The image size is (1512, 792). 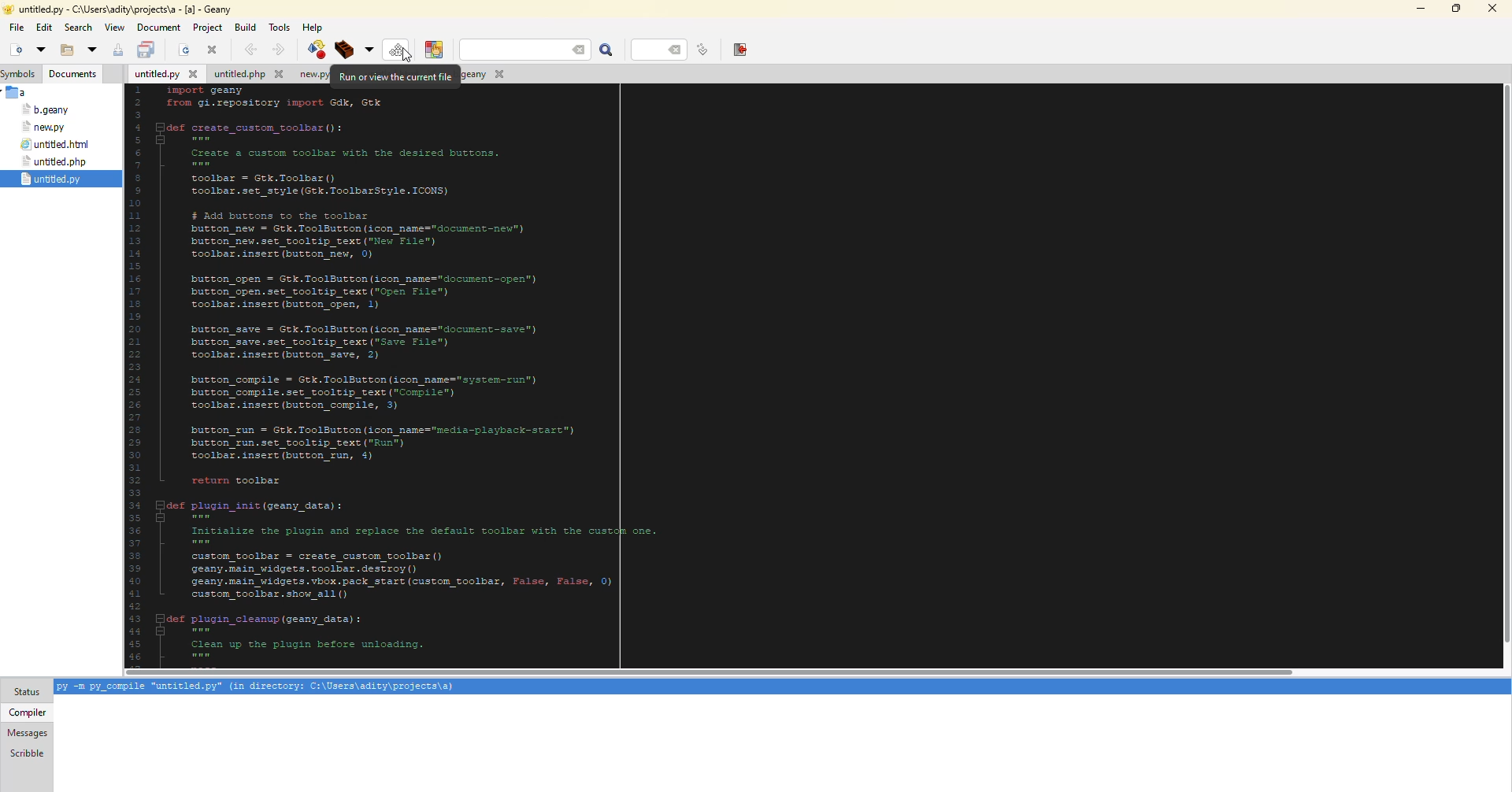 What do you see at coordinates (165, 73) in the screenshot?
I see `file` at bounding box center [165, 73].